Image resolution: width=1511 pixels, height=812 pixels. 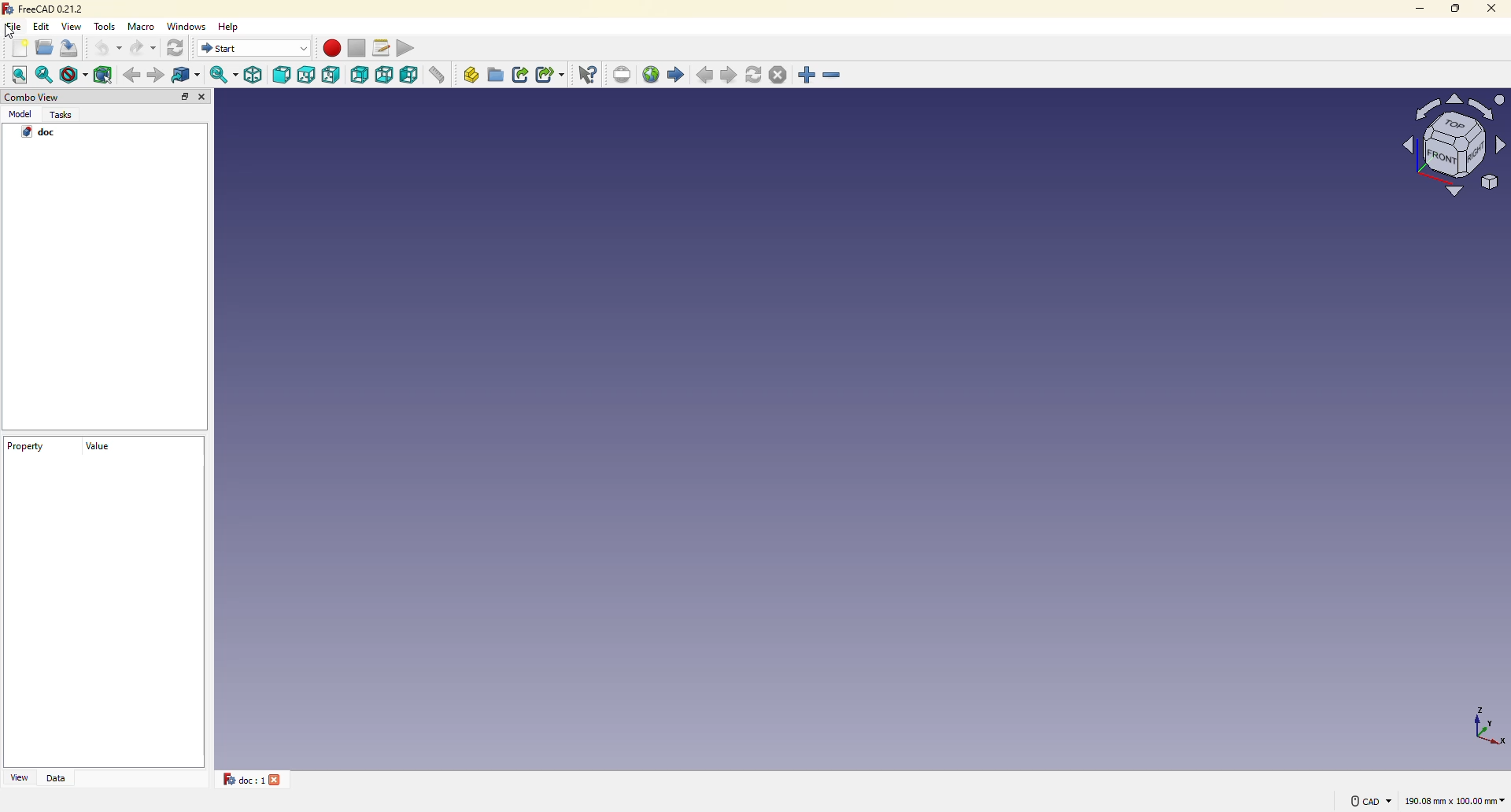 What do you see at coordinates (222, 75) in the screenshot?
I see `sync view` at bounding box center [222, 75].